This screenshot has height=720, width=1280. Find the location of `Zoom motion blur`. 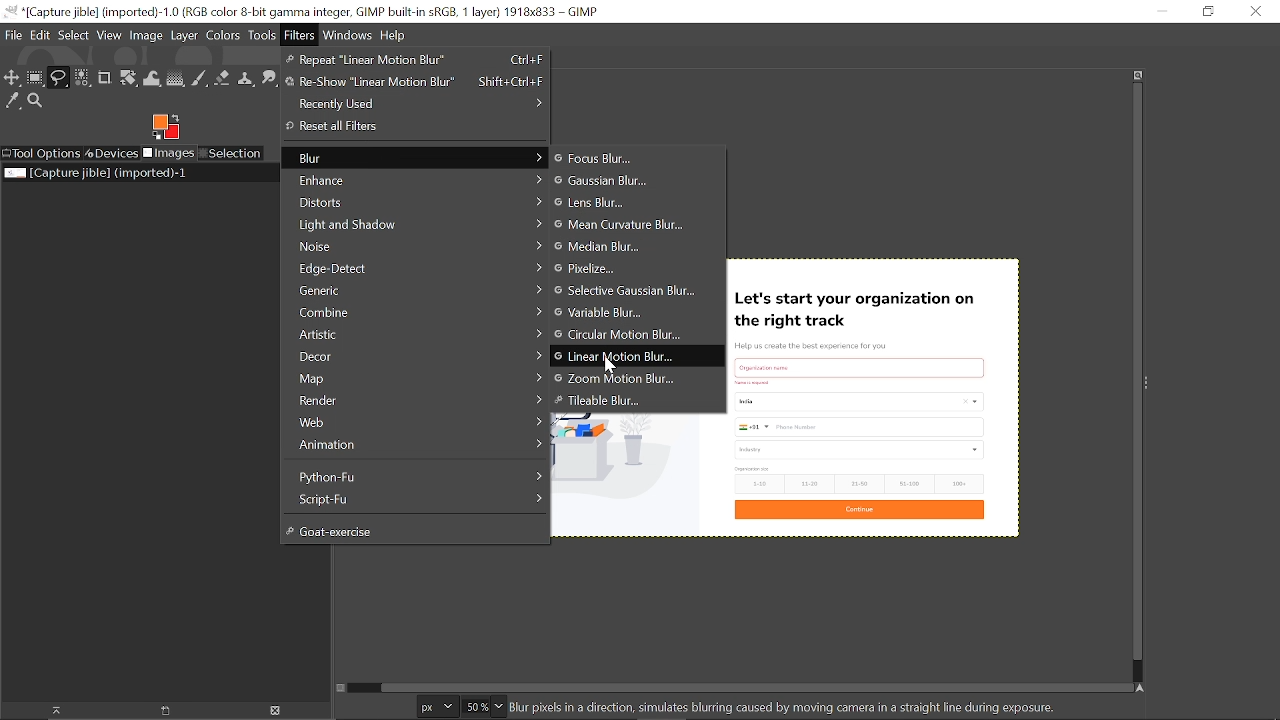

Zoom motion blur is located at coordinates (614, 378).